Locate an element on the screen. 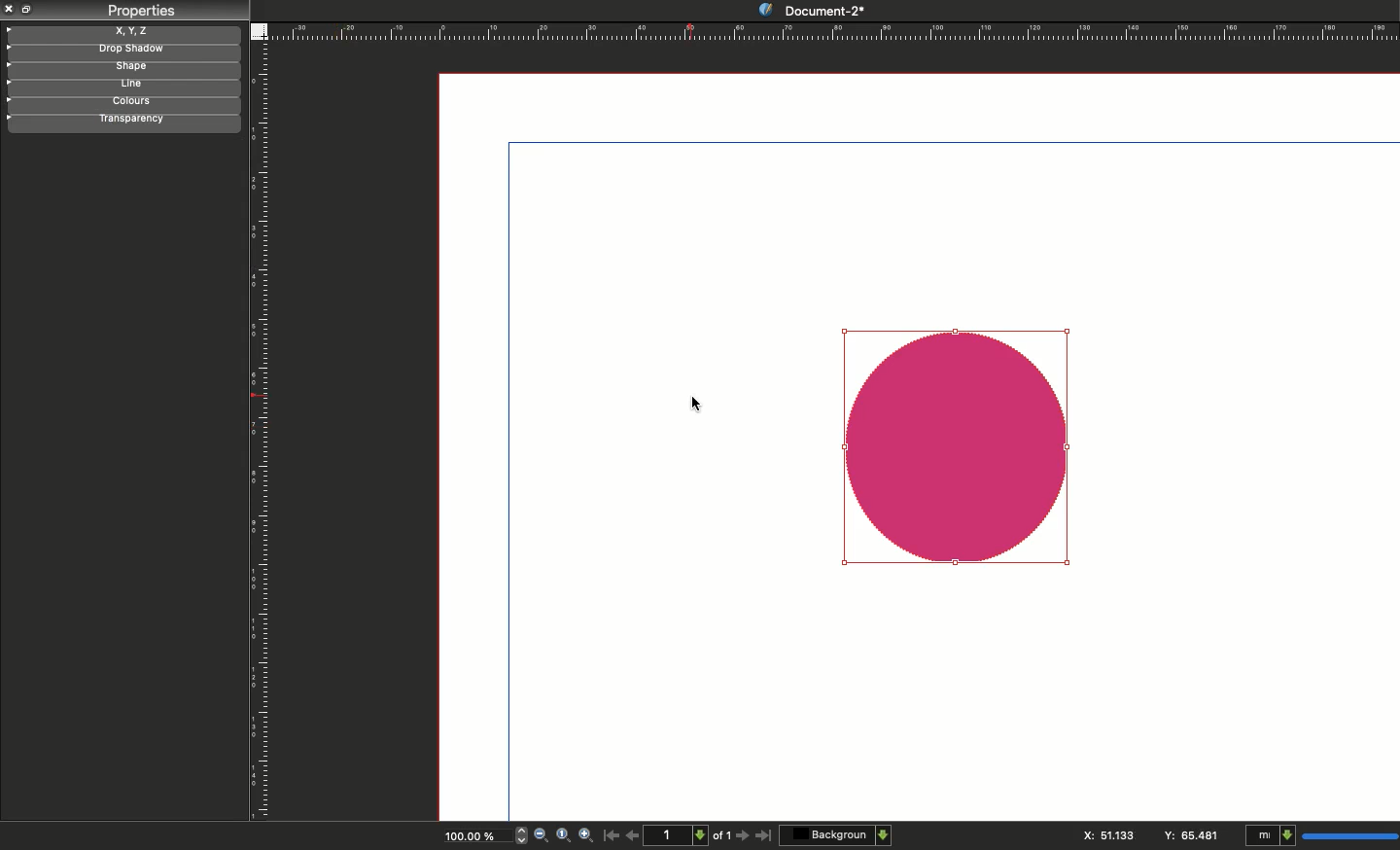 Image resolution: width=1400 pixels, height=850 pixels. Close is located at coordinates (10, 9).